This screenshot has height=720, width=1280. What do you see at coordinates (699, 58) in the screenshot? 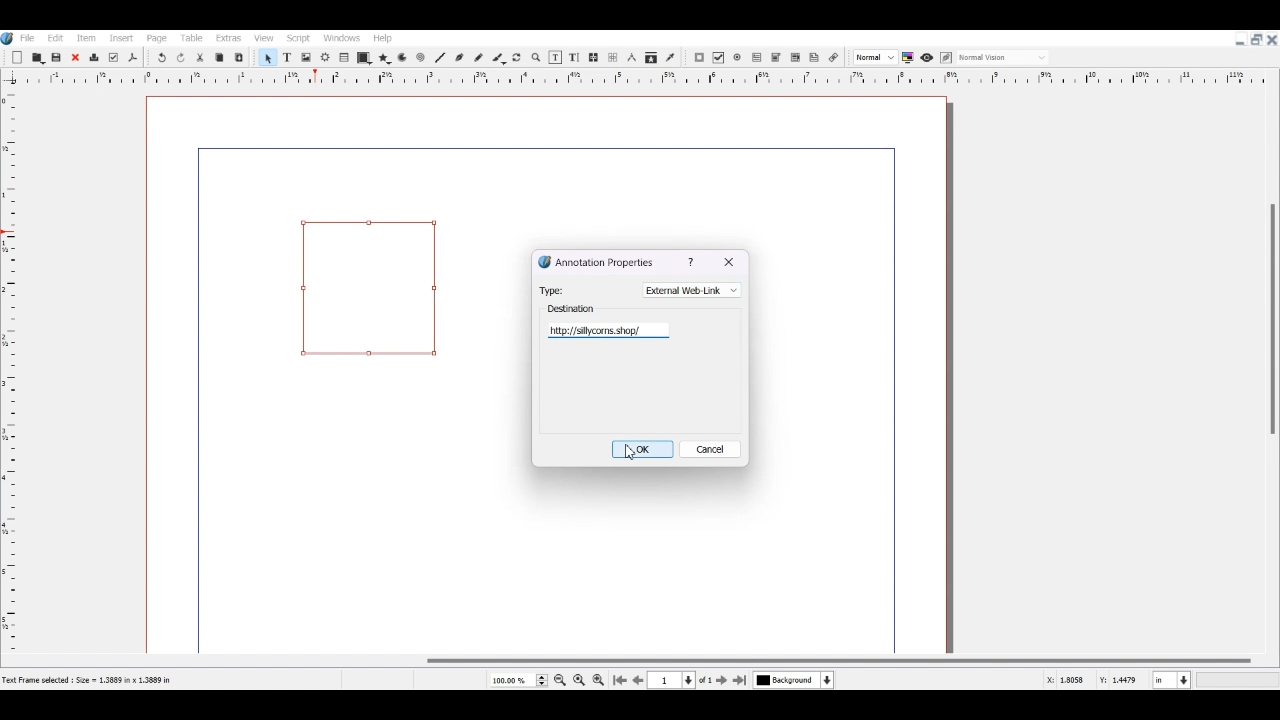
I see `PDF Push Button` at bounding box center [699, 58].